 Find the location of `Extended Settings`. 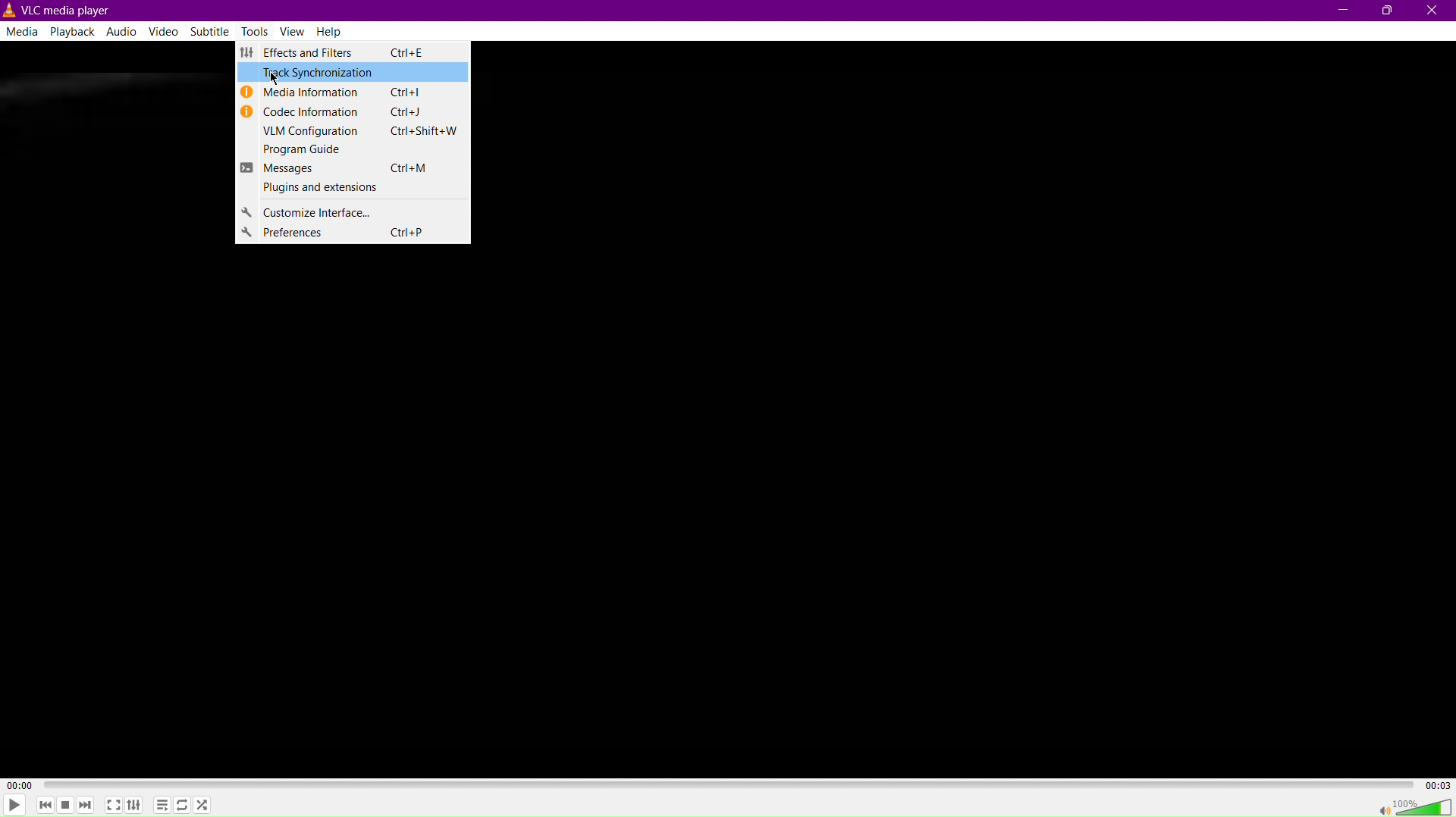

Extended Settings is located at coordinates (137, 805).